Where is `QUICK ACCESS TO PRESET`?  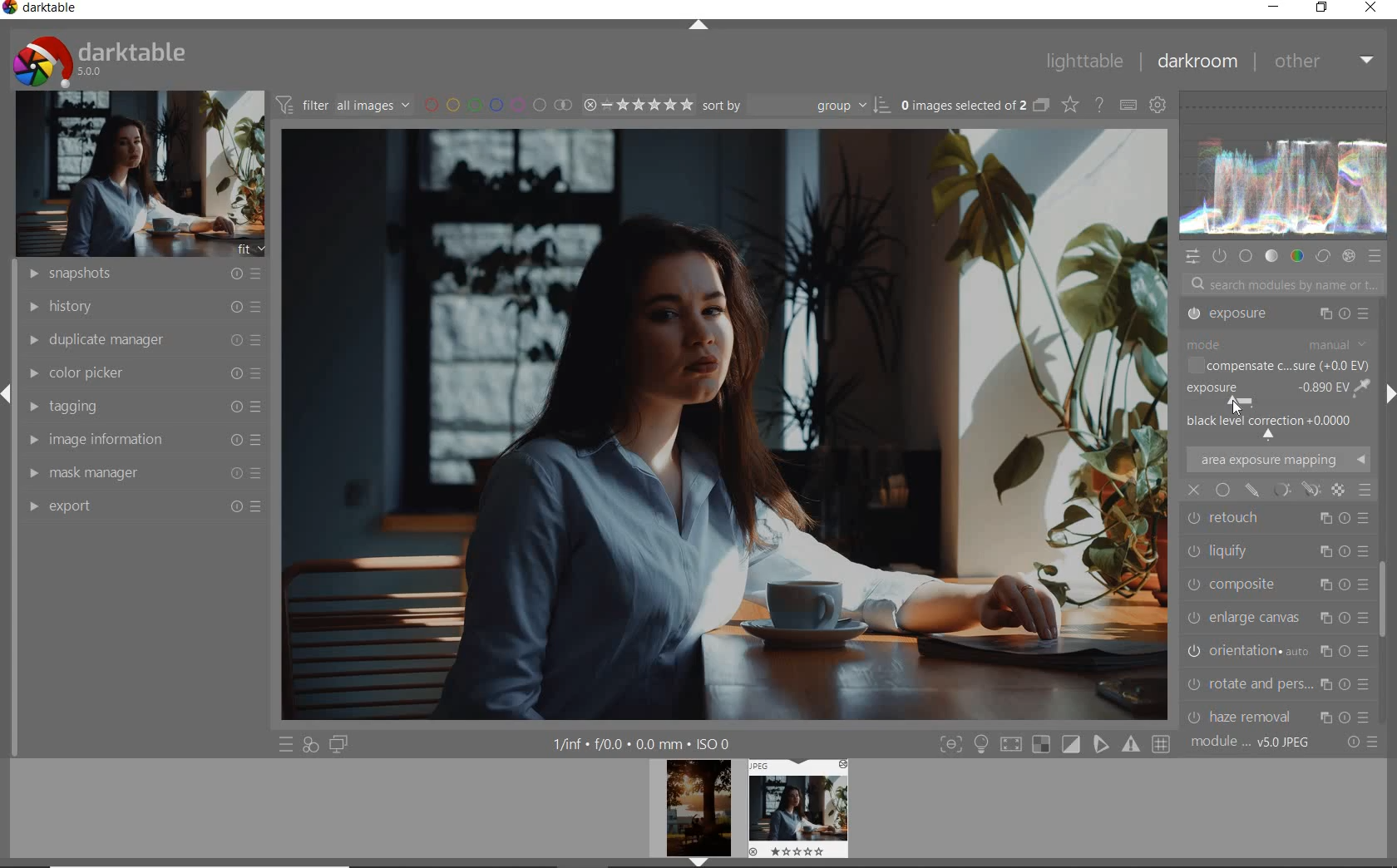 QUICK ACCESS TO PRESET is located at coordinates (285, 743).